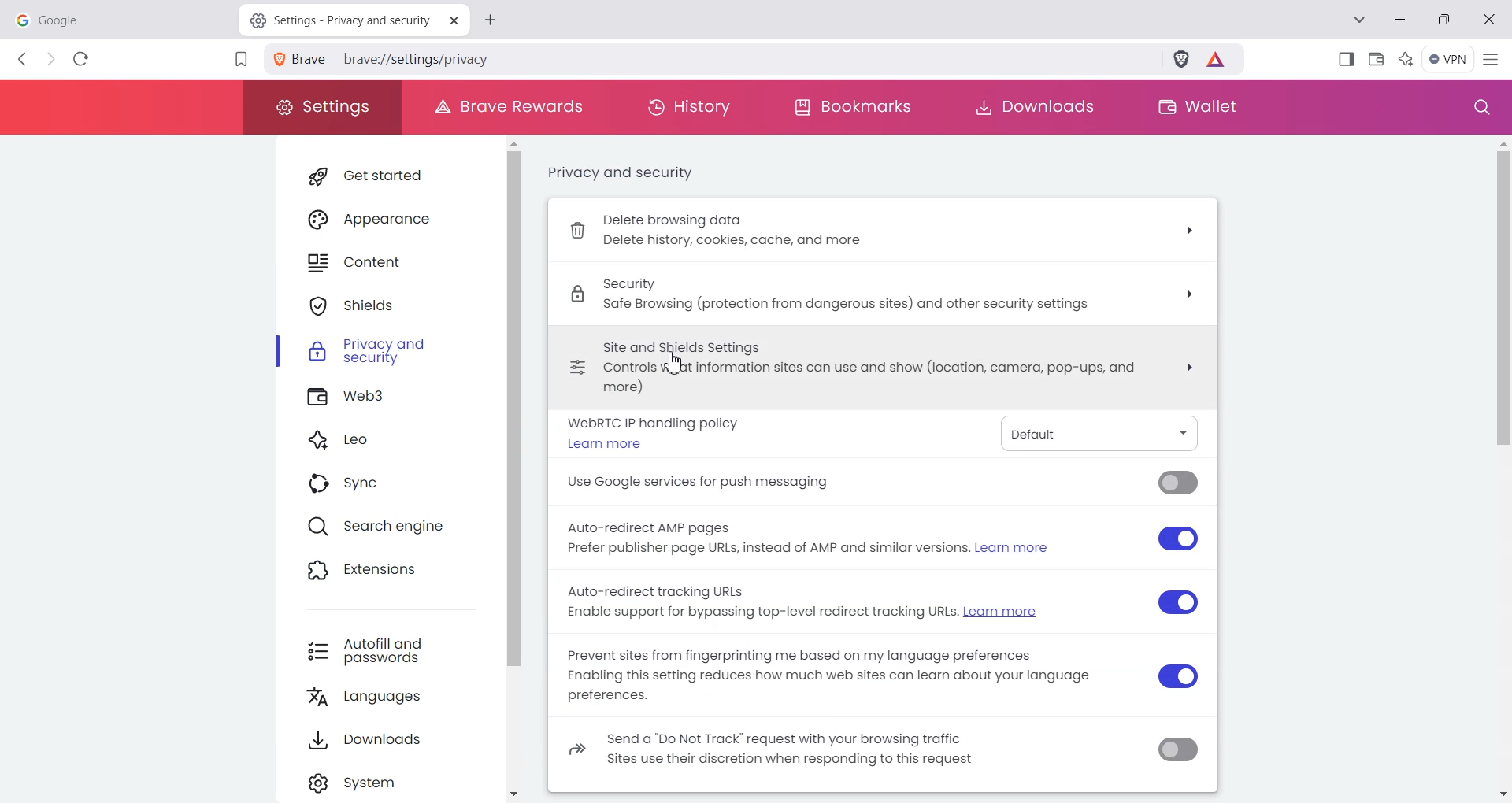  Describe the element at coordinates (671, 364) in the screenshot. I see `Cursor` at that location.